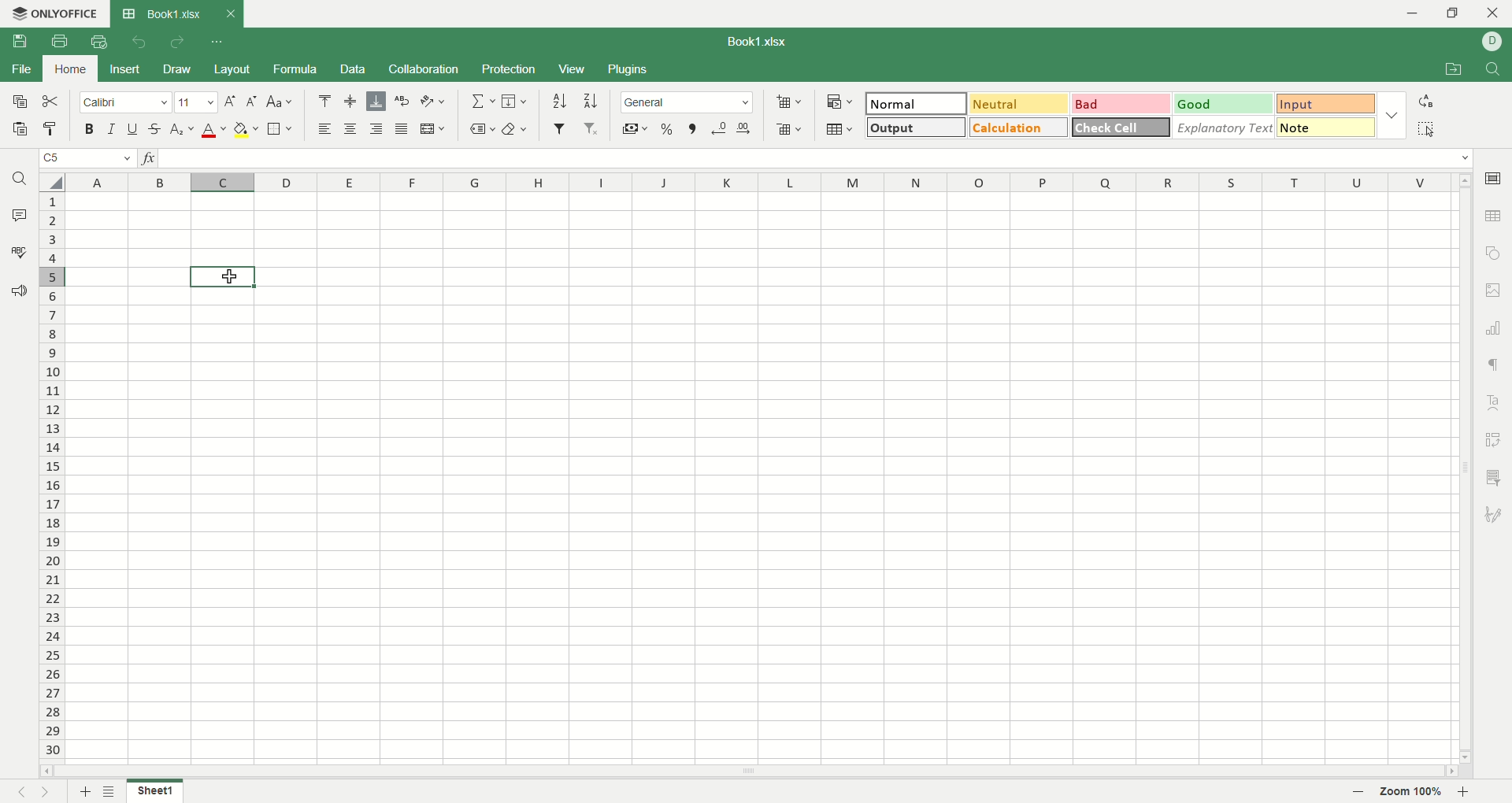 This screenshot has height=803, width=1512. Describe the element at coordinates (280, 101) in the screenshot. I see `case` at that location.